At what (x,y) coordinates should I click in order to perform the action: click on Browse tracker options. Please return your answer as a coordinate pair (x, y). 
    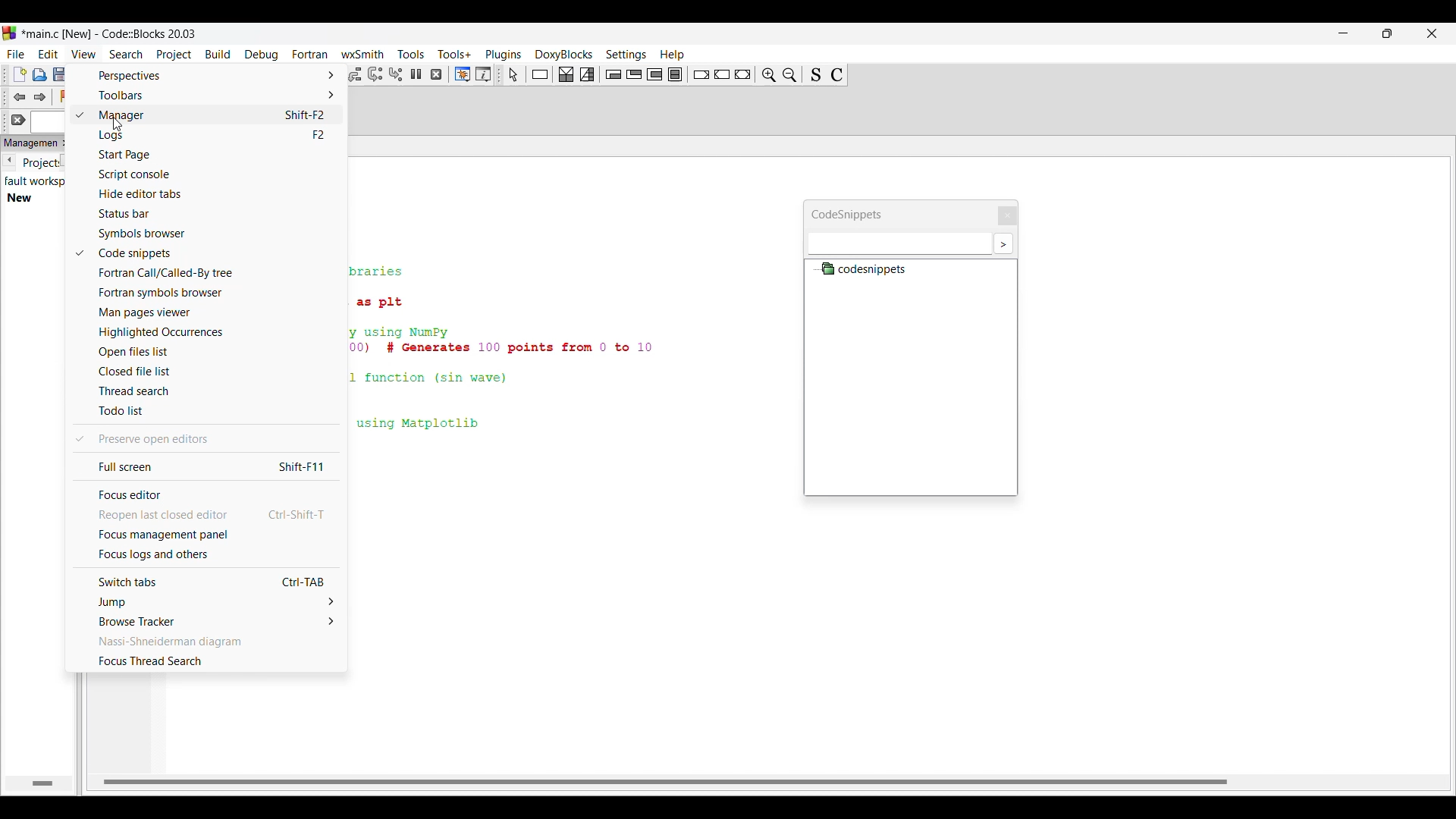
    Looking at the image, I should click on (208, 621).